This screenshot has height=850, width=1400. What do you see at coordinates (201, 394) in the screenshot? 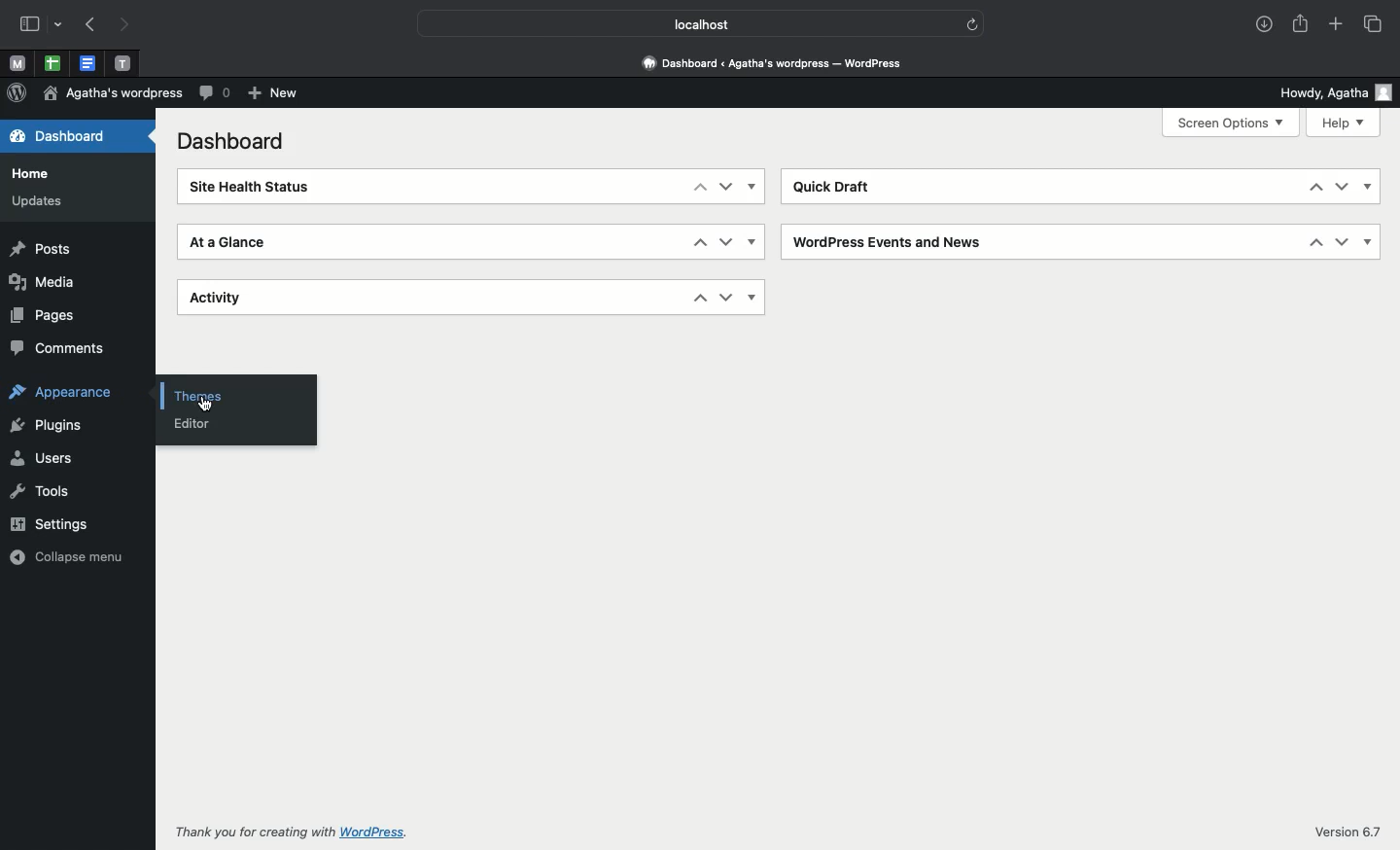
I see `Click themes` at bounding box center [201, 394].